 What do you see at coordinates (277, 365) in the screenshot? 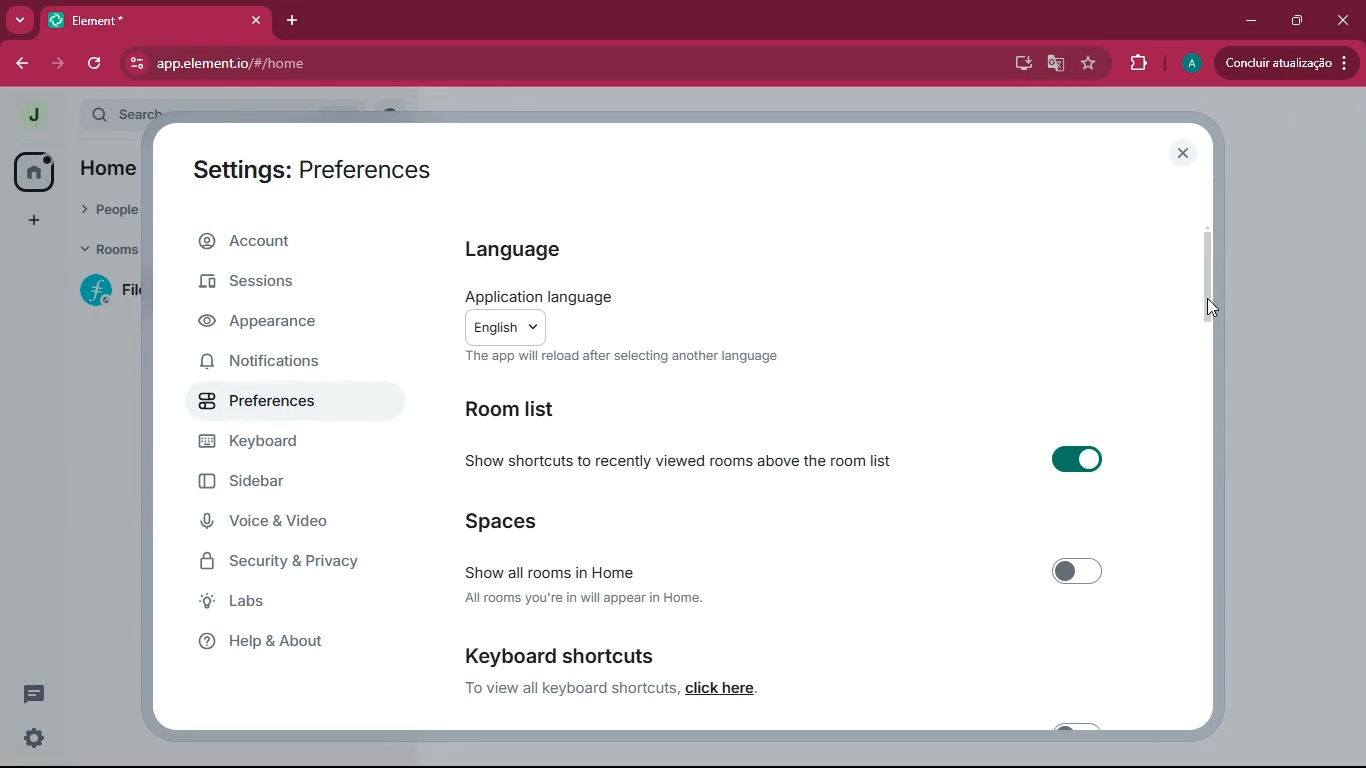
I see `notifications` at bounding box center [277, 365].